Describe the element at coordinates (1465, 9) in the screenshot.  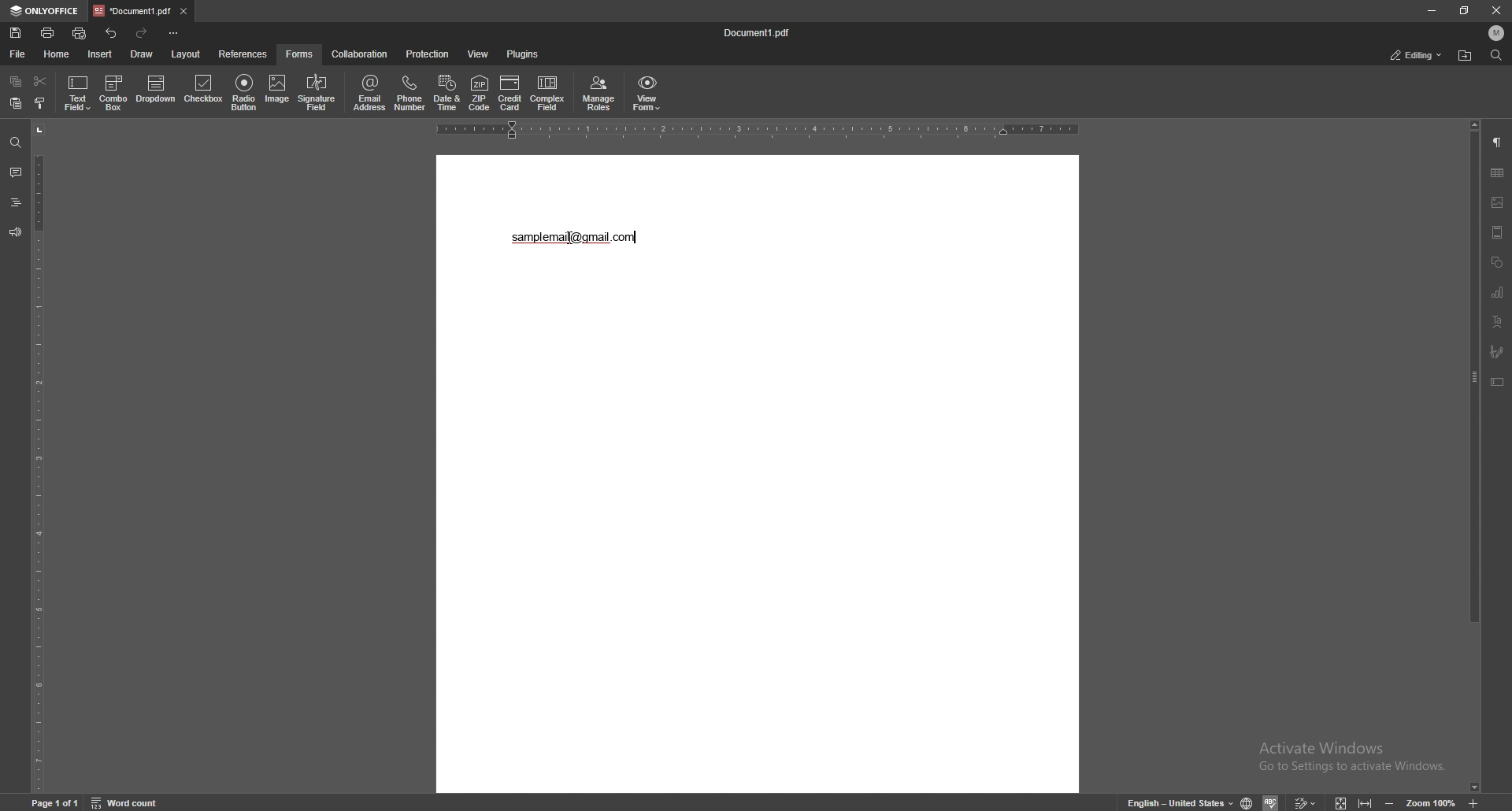
I see `resize` at that location.